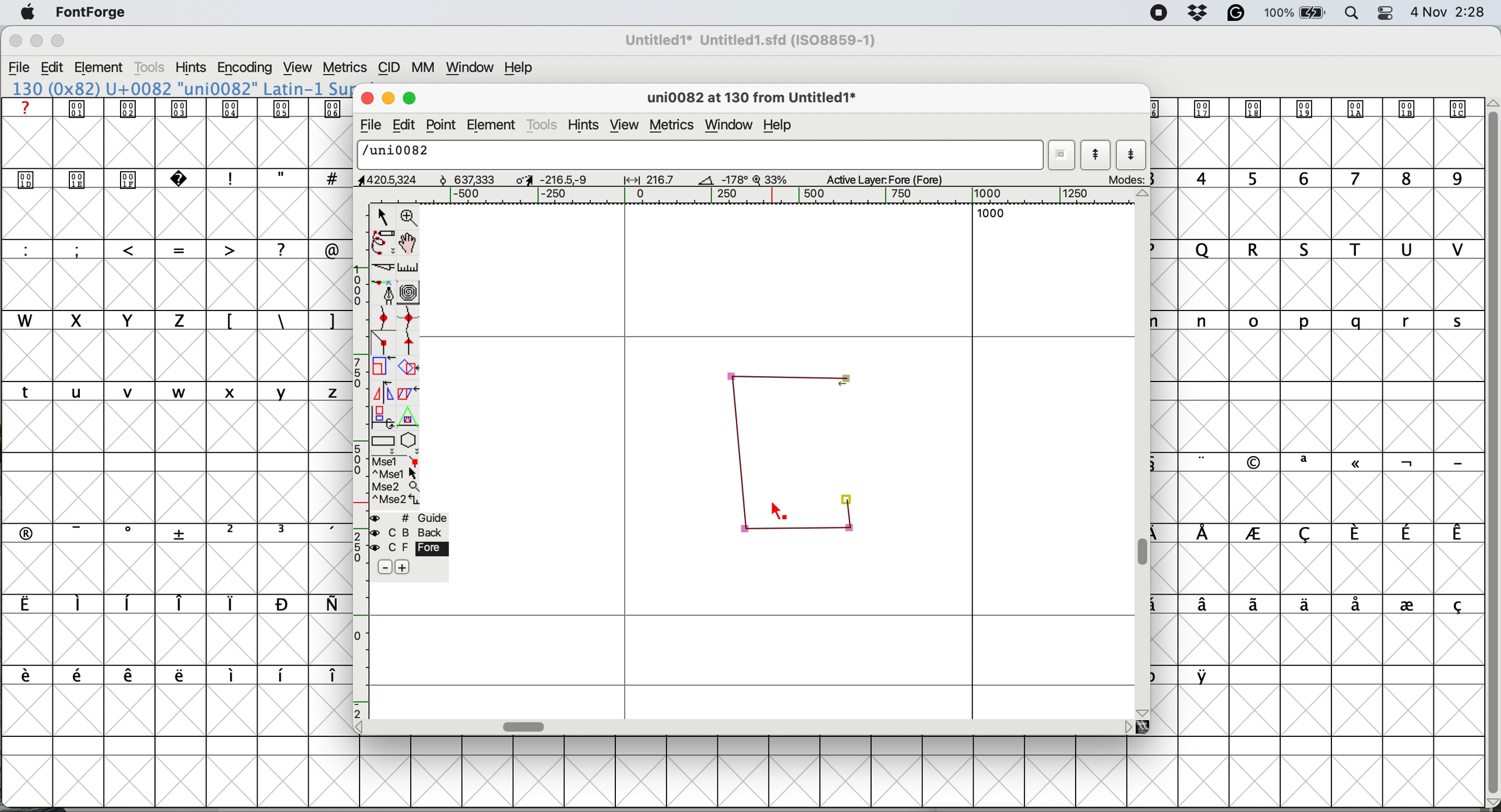 The width and height of the screenshot is (1501, 812). I want to click on spotlight search, so click(1349, 15).